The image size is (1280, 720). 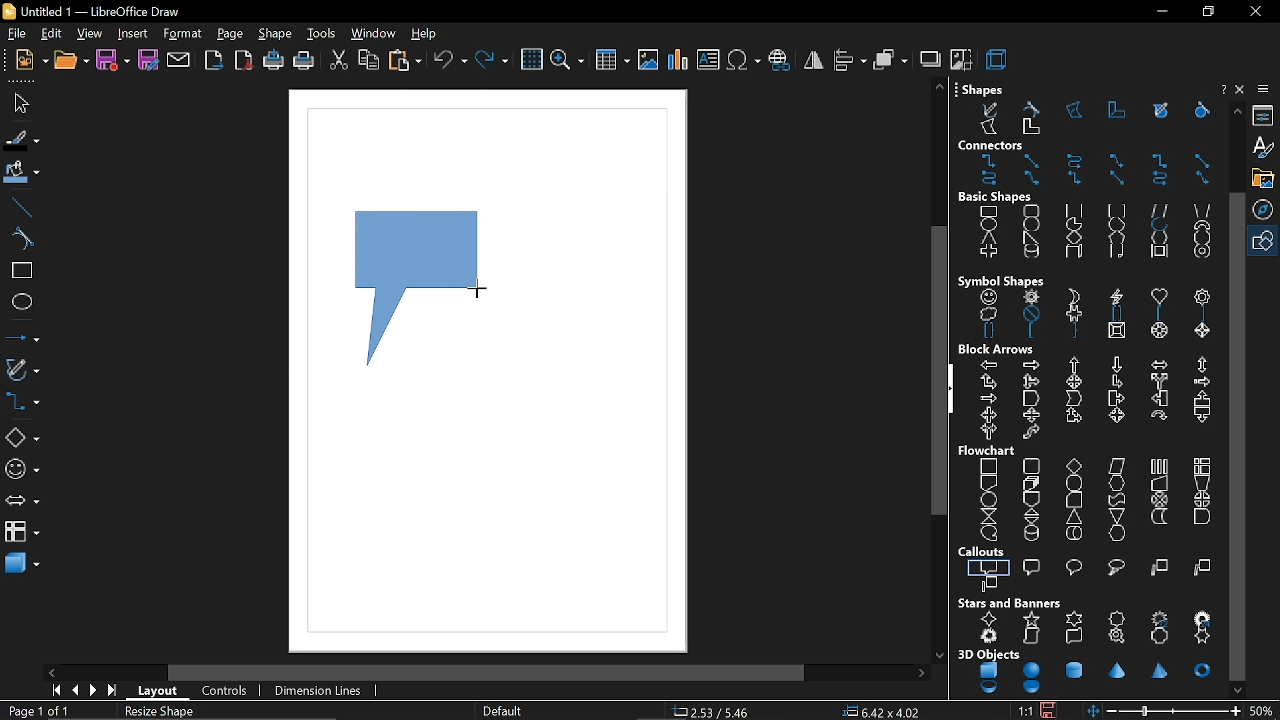 I want to click on summing junction, so click(x=1160, y=500).